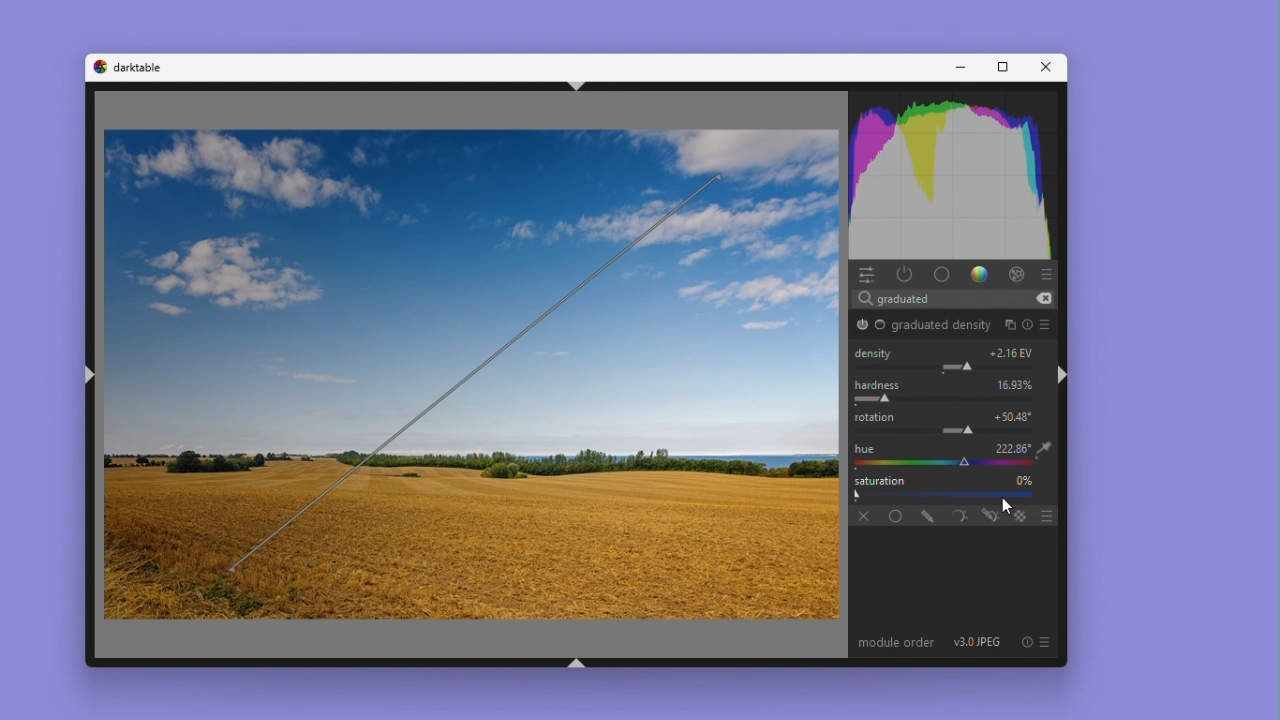 The image size is (1280, 720). I want to click on darktable logo, so click(98, 67).